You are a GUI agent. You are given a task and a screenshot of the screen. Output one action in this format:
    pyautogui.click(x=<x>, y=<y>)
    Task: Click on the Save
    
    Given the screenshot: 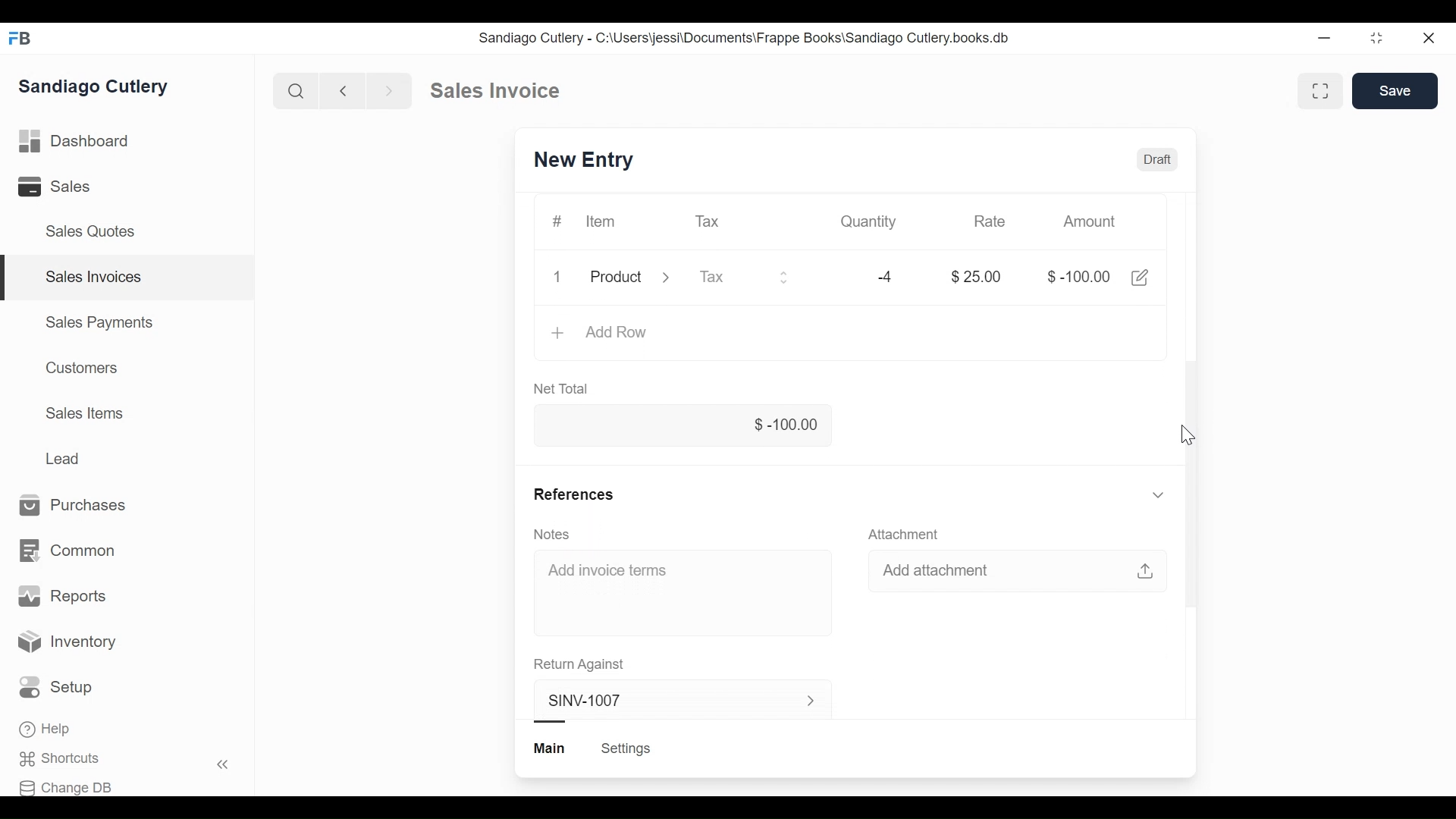 What is the action you would take?
    pyautogui.click(x=1395, y=91)
    